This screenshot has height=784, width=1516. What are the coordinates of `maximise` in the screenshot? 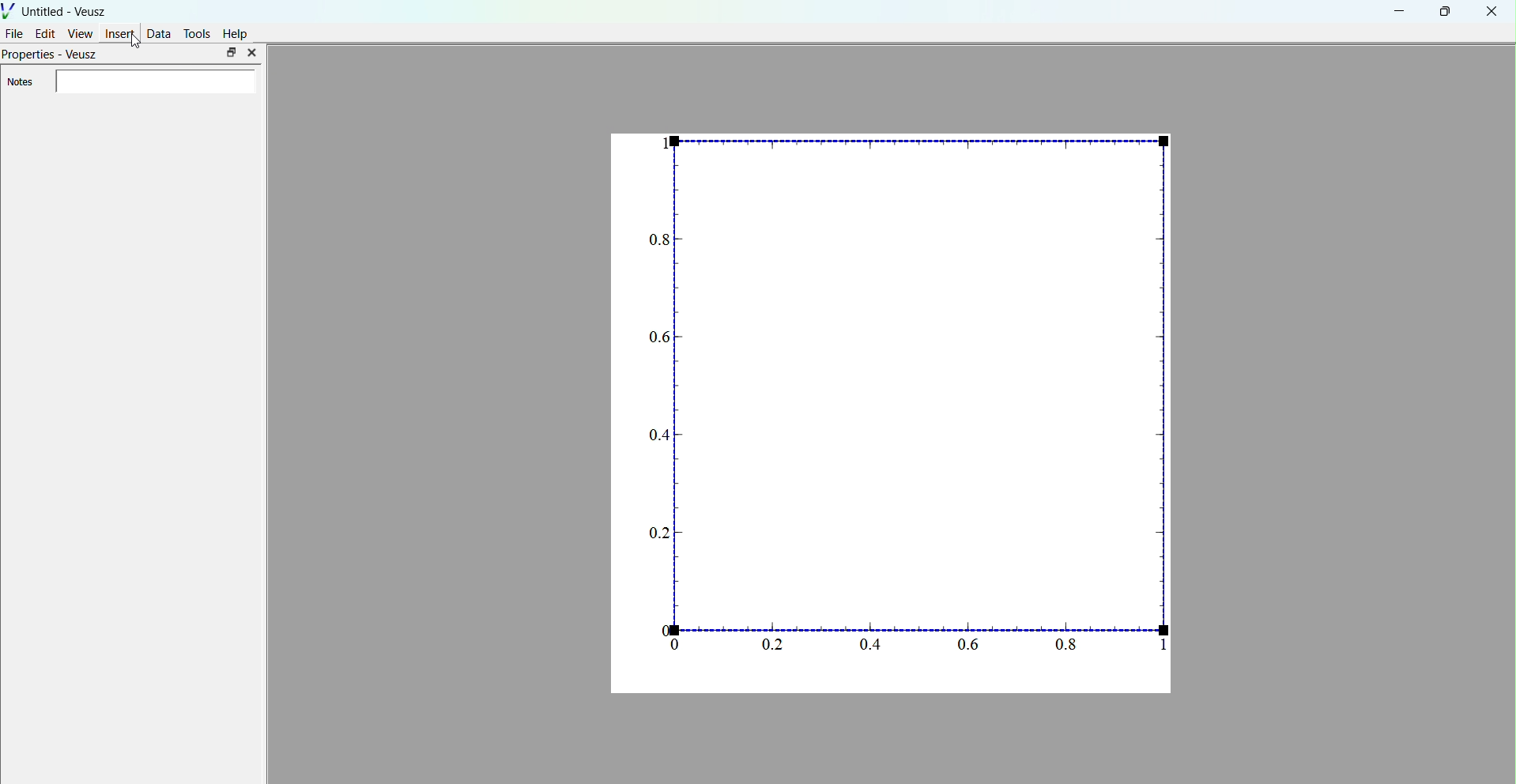 It's located at (231, 52).